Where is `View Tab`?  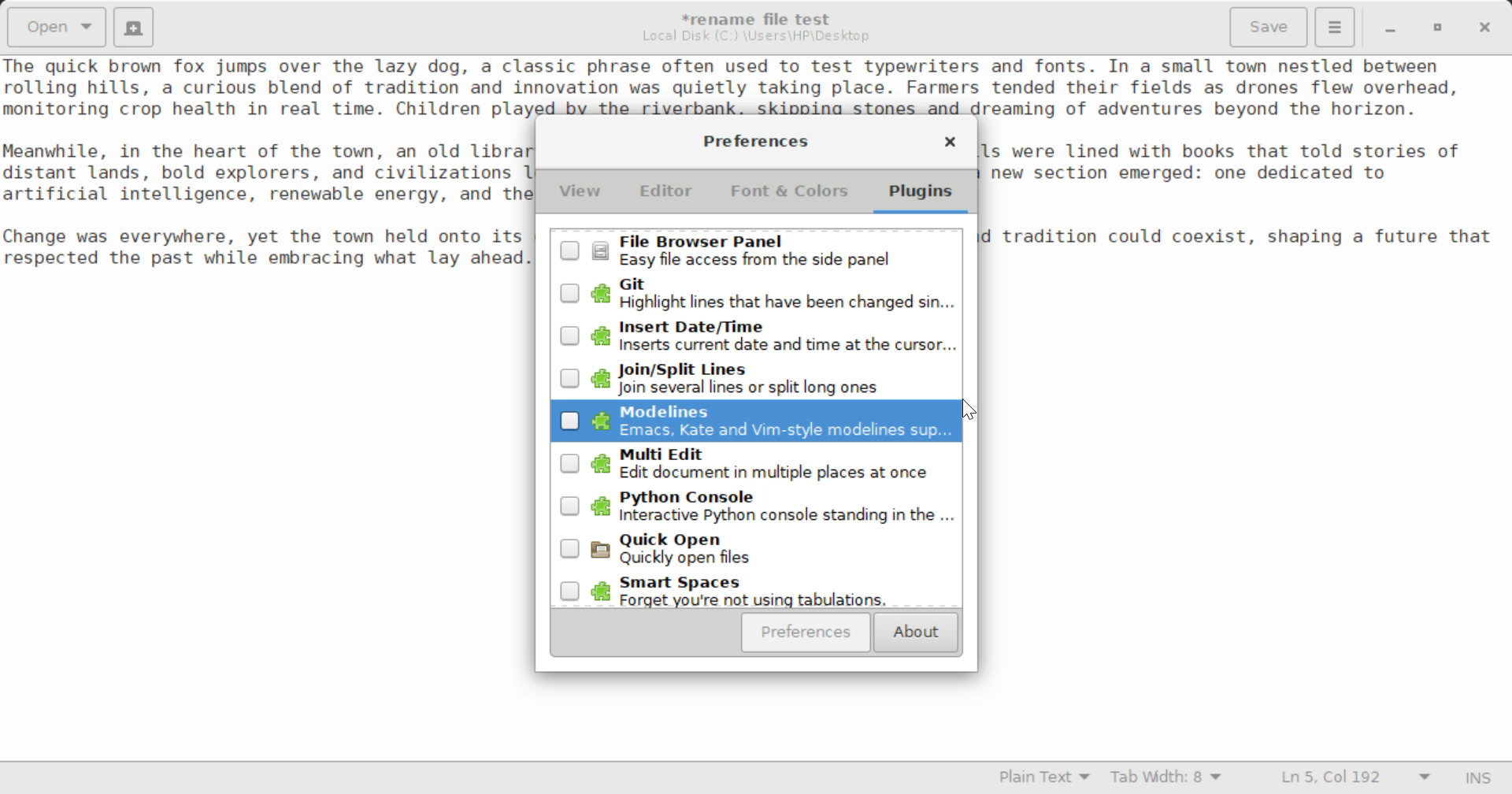
View Tab is located at coordinates (580, 195).